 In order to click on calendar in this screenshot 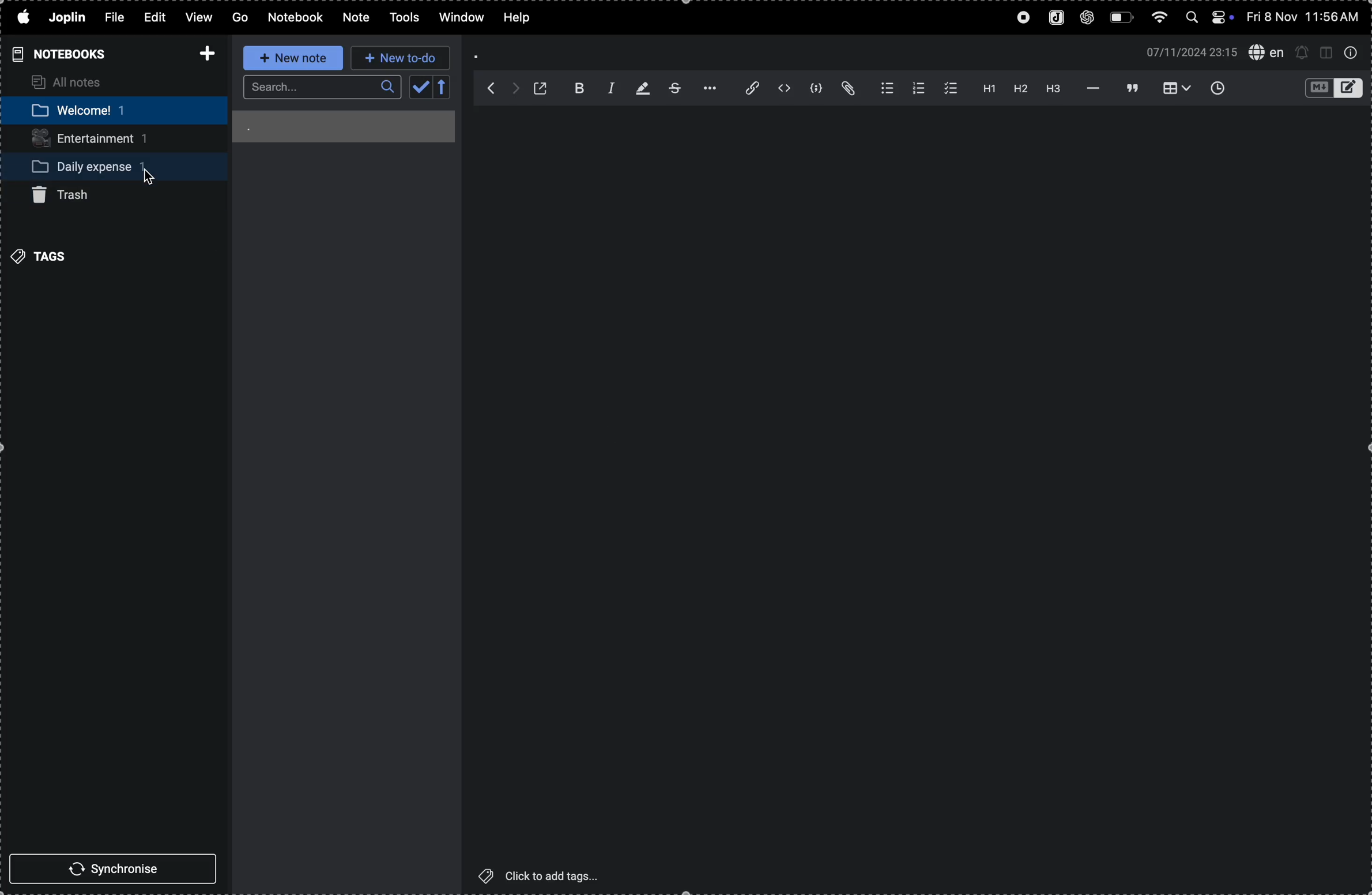, I will do `click(431, 88)`.